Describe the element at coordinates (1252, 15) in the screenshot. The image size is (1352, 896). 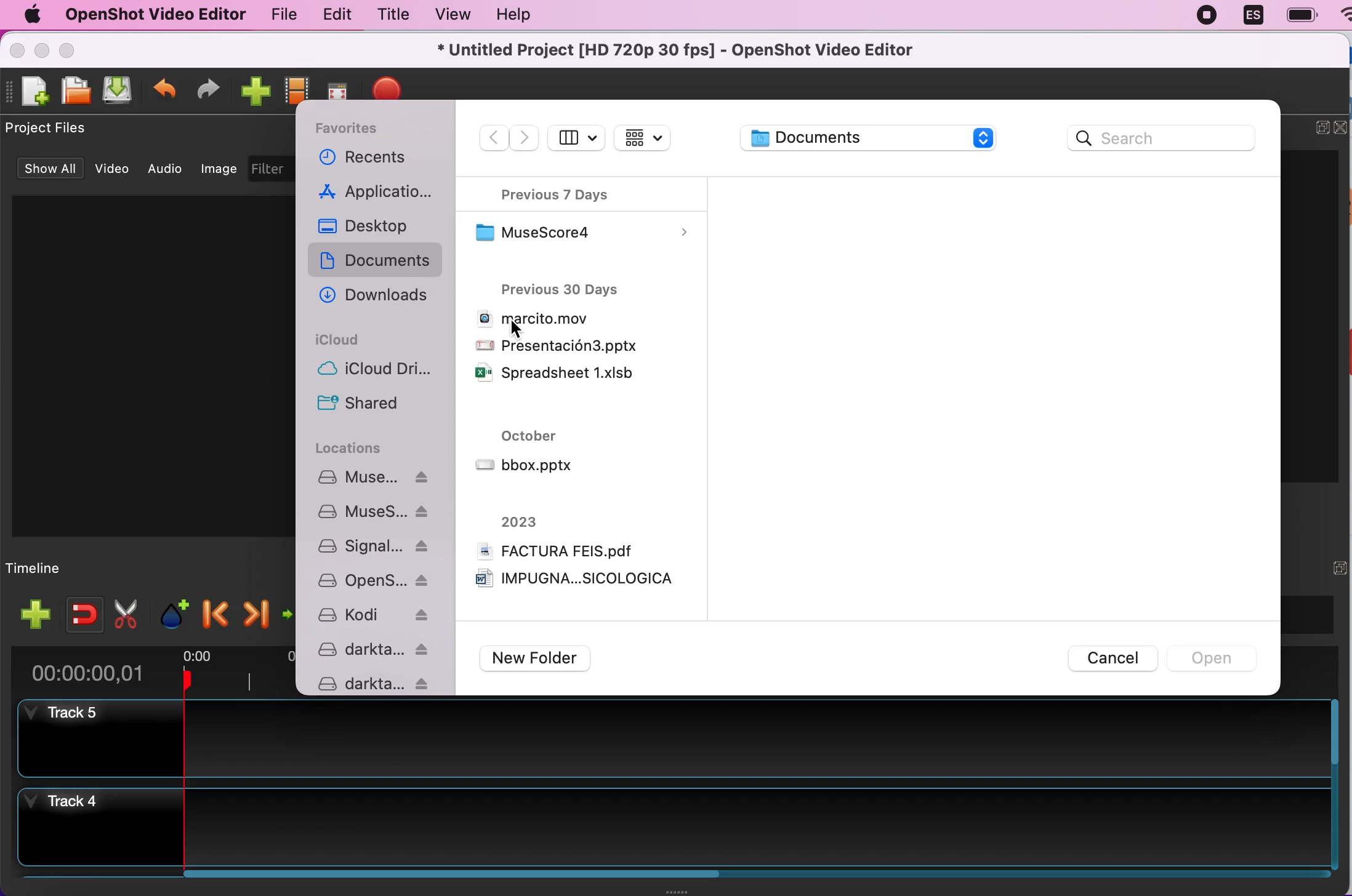
I see `language` at that location.